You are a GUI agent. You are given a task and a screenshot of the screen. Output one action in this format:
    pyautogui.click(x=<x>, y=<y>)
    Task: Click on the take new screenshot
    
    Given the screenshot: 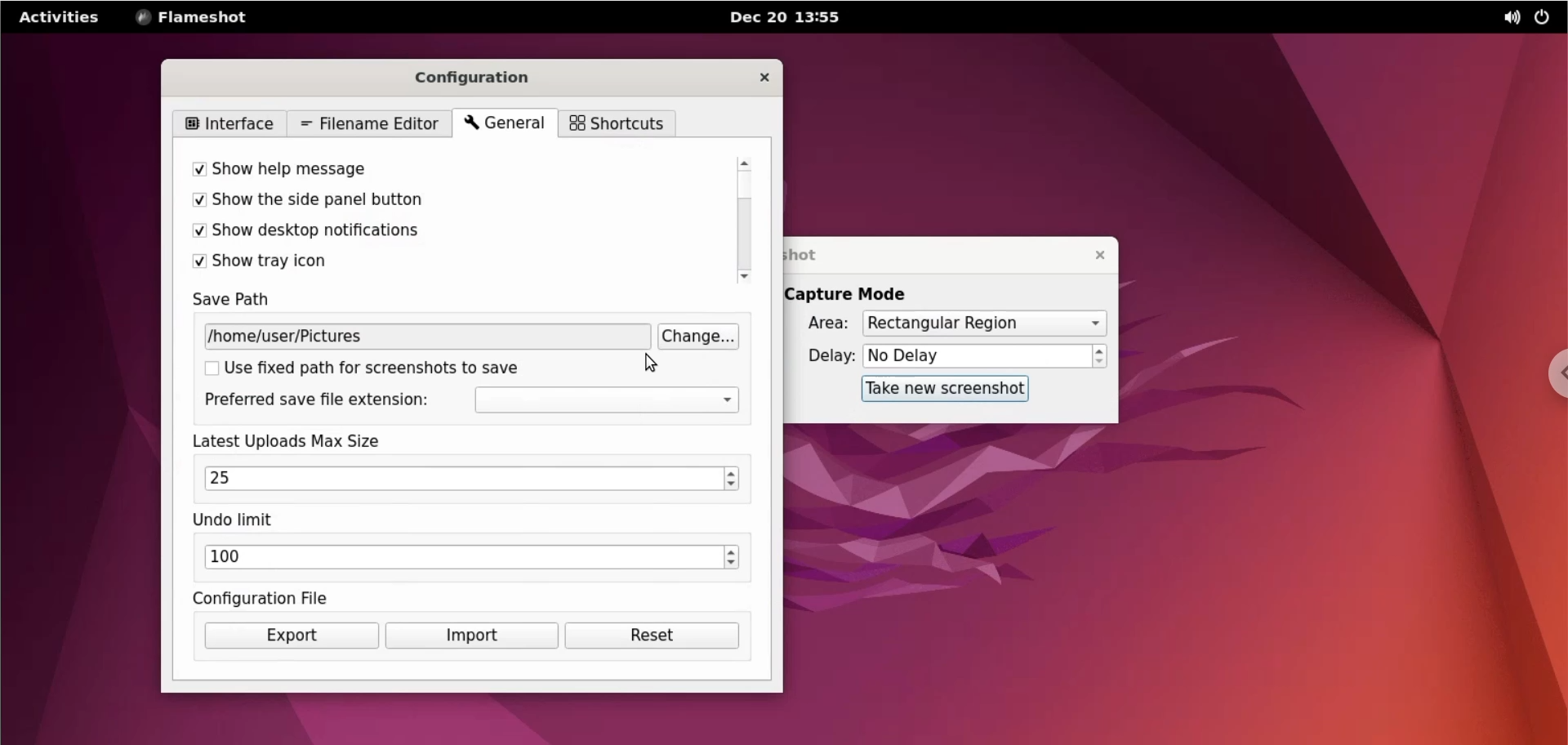 What is the action you would take?
    pyautogui.click(x=942, y=390)
    